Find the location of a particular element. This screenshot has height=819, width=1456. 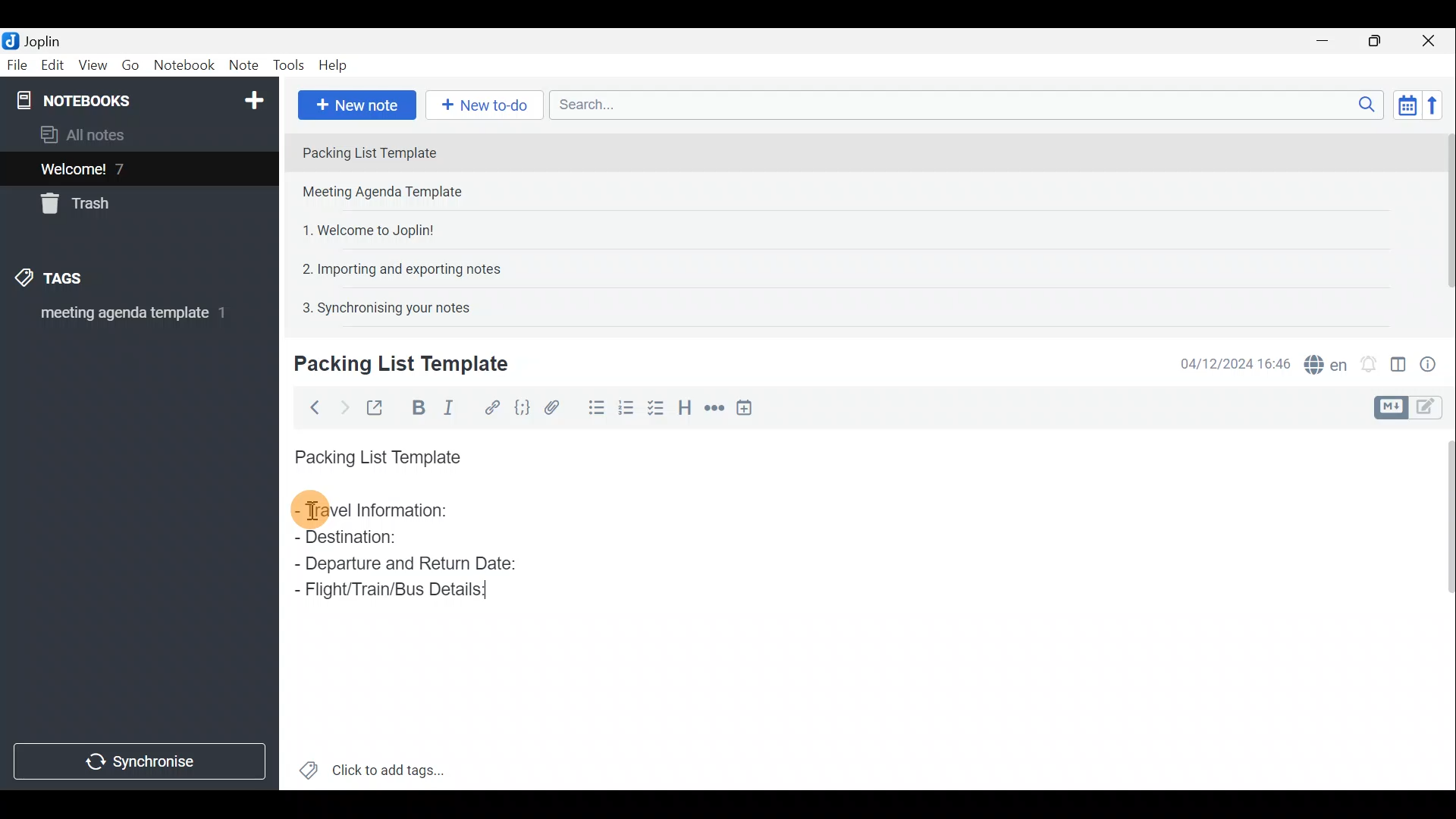

Notebook is located at coordinates (184, 67).